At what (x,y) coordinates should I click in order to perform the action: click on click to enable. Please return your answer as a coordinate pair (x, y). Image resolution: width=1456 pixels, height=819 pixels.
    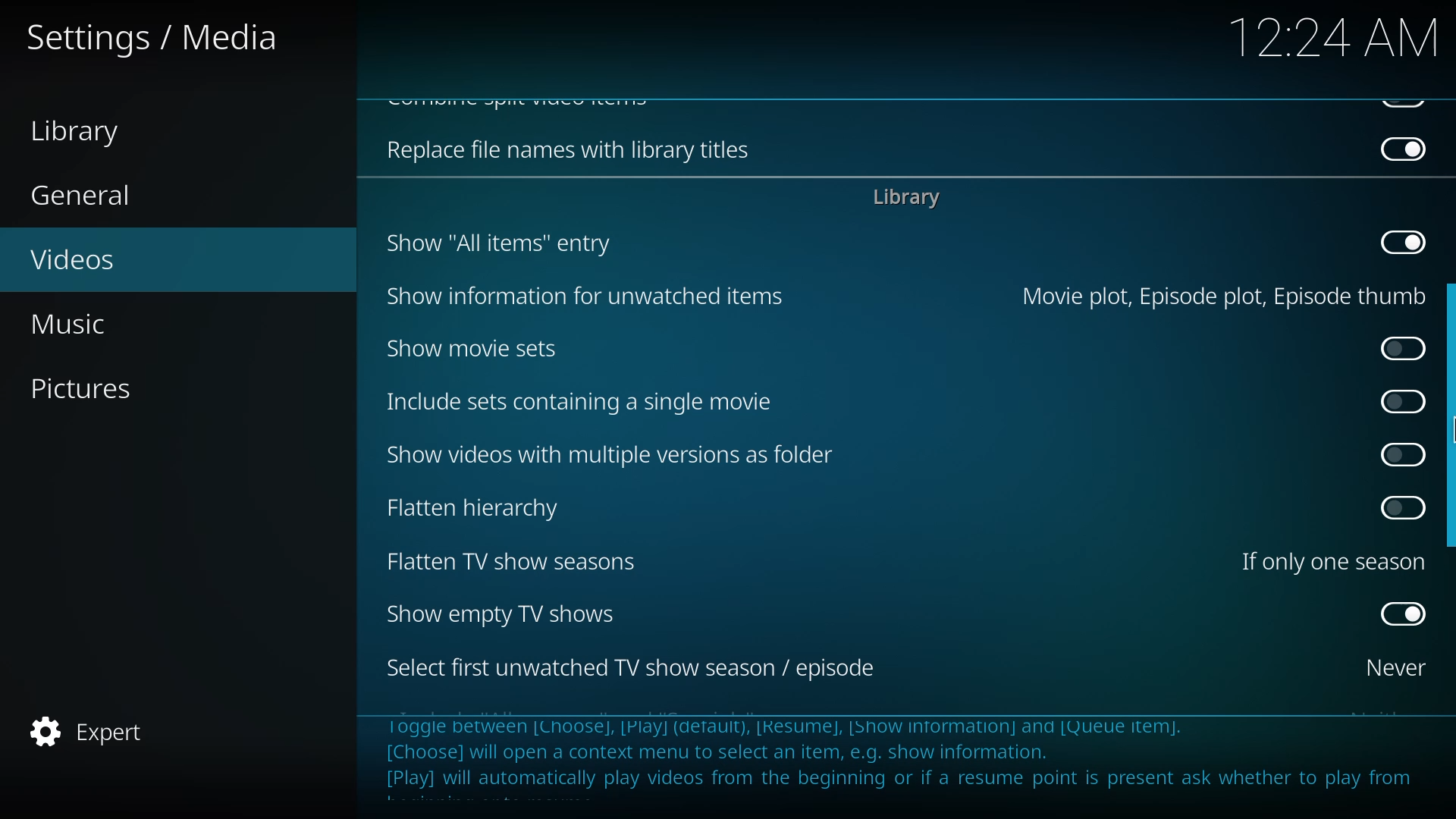
    Looking at the image, I should click on (1398, 347).